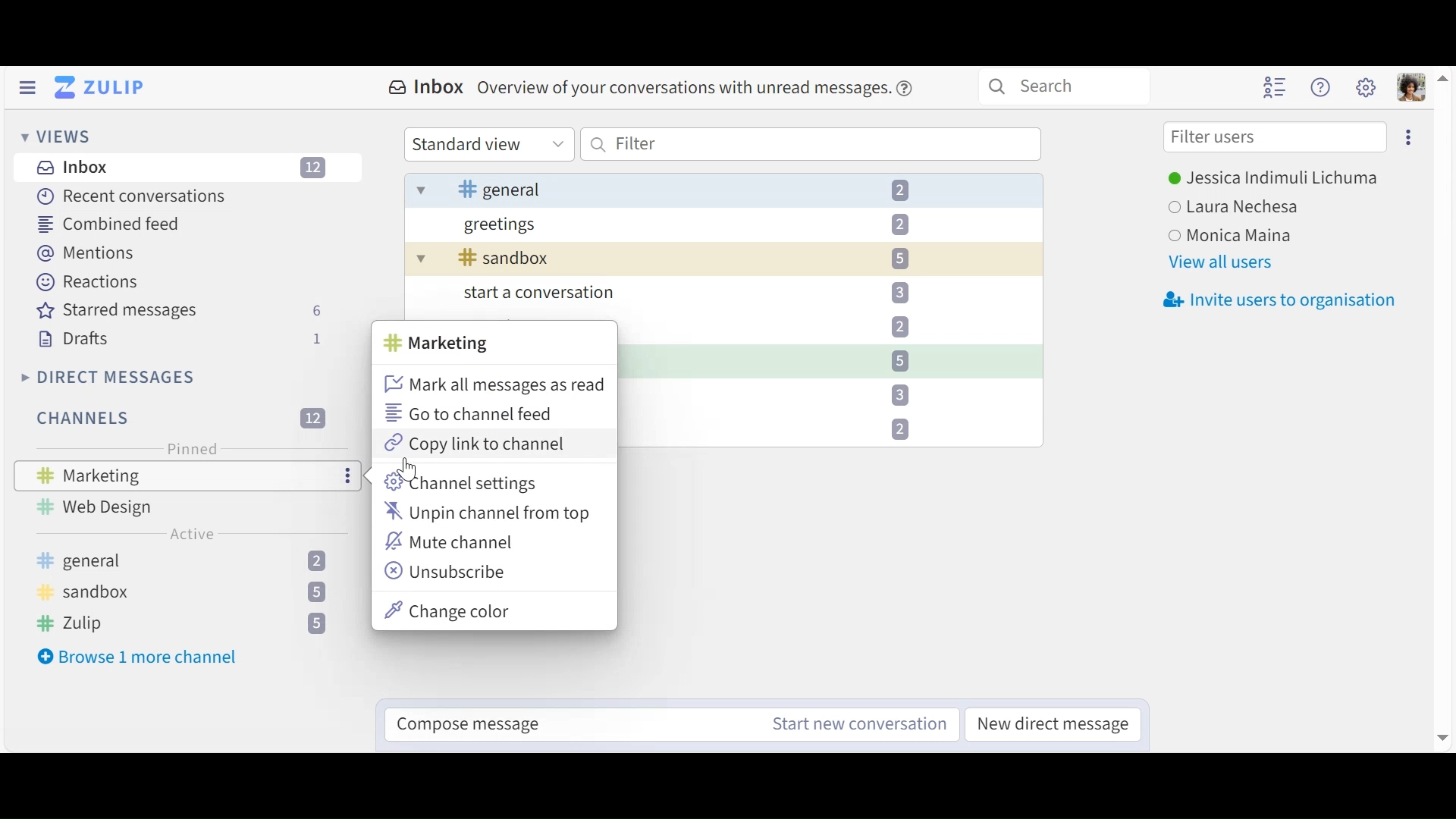  I want to click on #Channel, so click(441, 344).